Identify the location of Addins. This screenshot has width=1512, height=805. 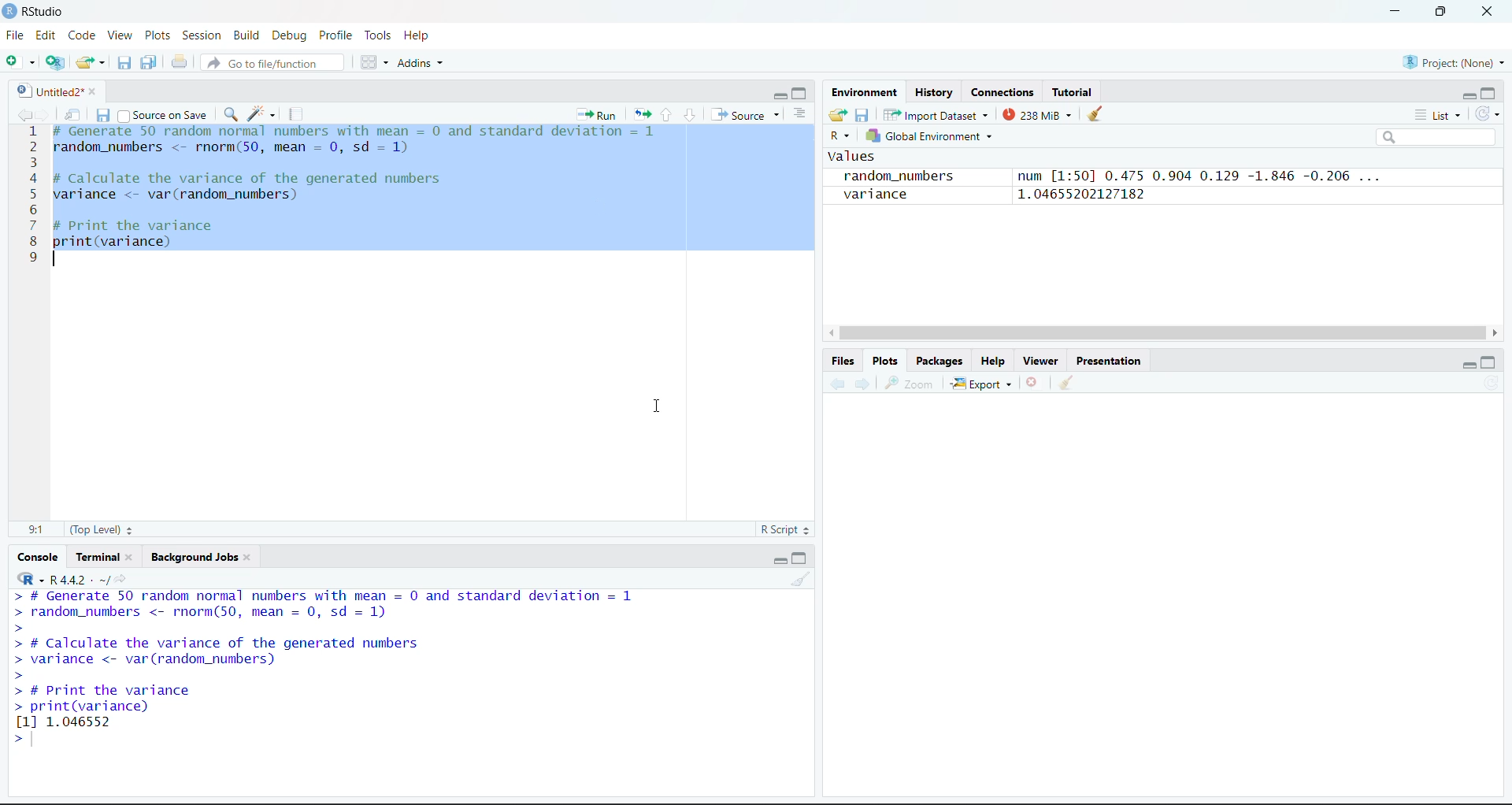
(419, 63).